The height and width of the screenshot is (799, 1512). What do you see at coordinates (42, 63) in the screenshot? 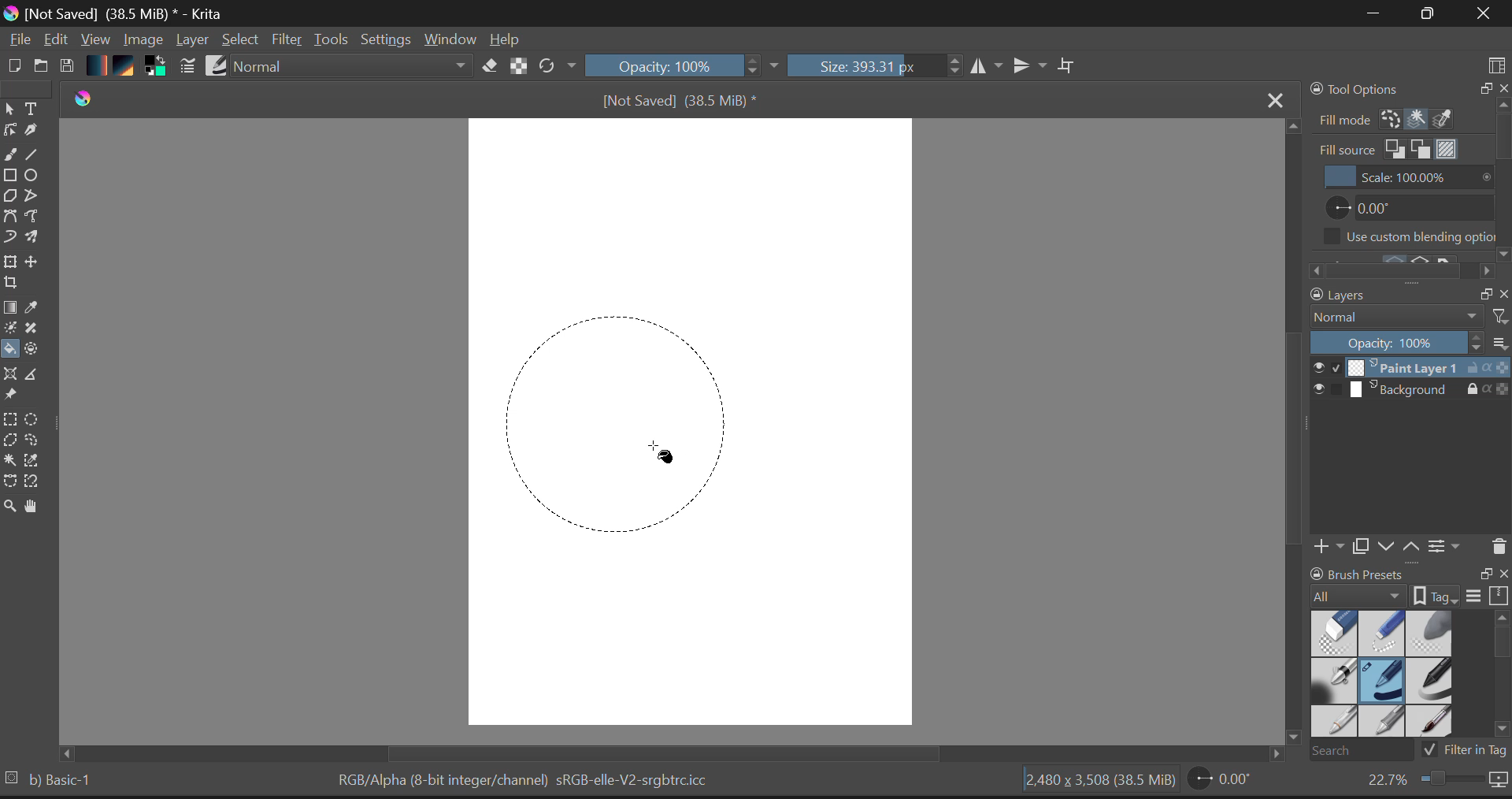
I see `Open` at bounding box center [42, 63].